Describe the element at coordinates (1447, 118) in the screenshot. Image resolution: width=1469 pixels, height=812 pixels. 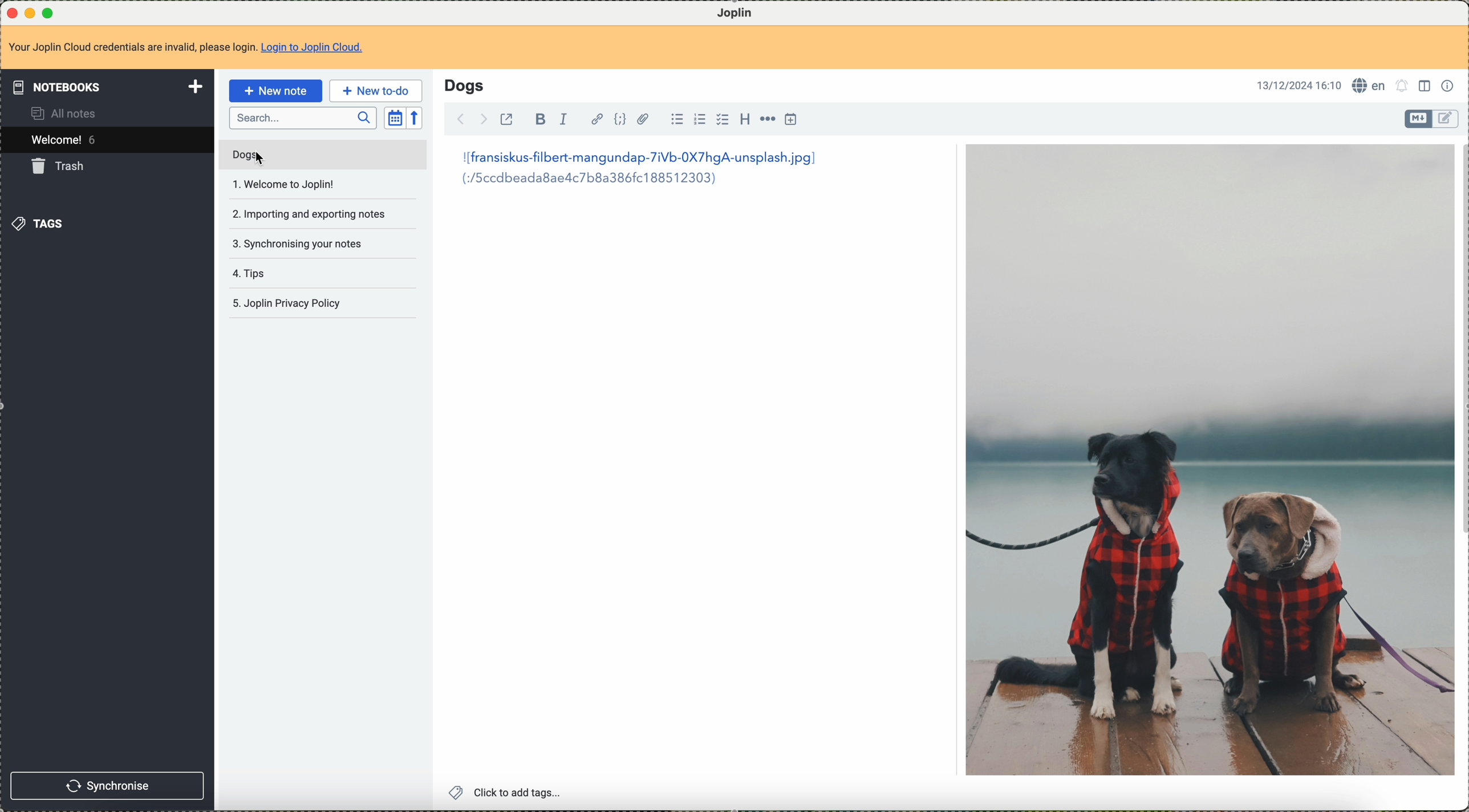
I see `toggle editor` at that location.